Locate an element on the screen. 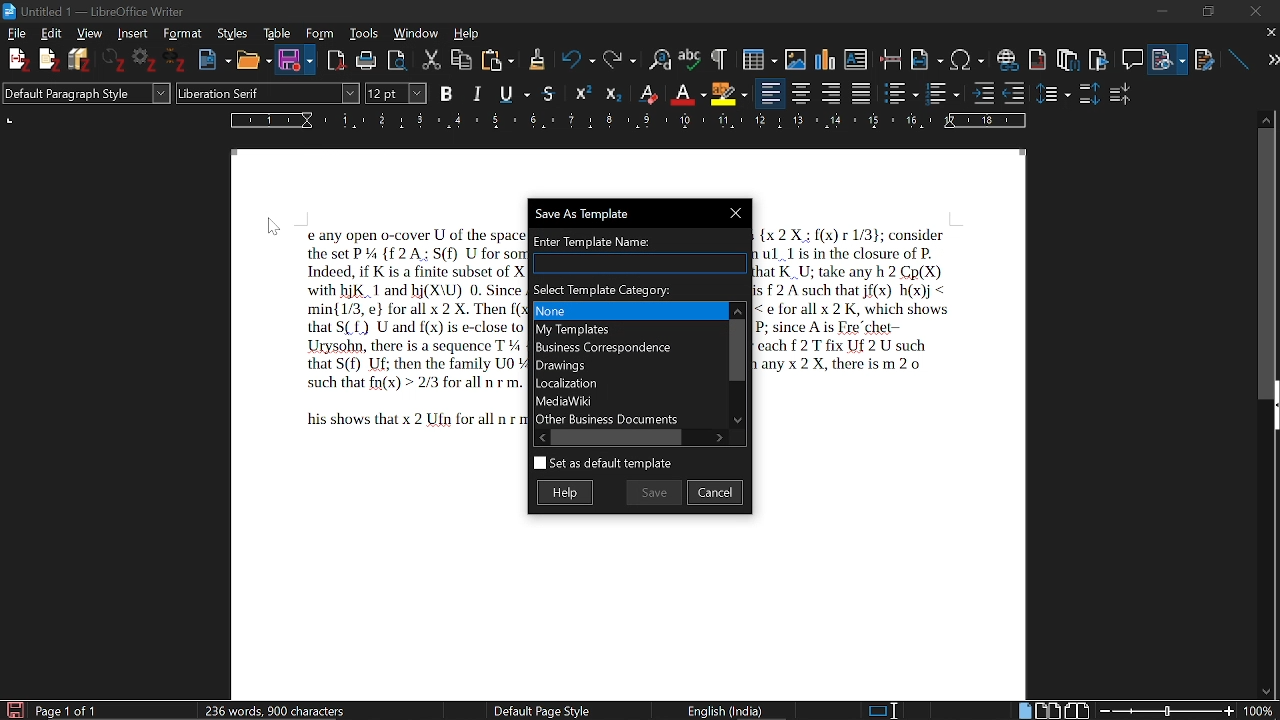 The image size is (1280, 720). Italics is located at coordinates (478, 92).